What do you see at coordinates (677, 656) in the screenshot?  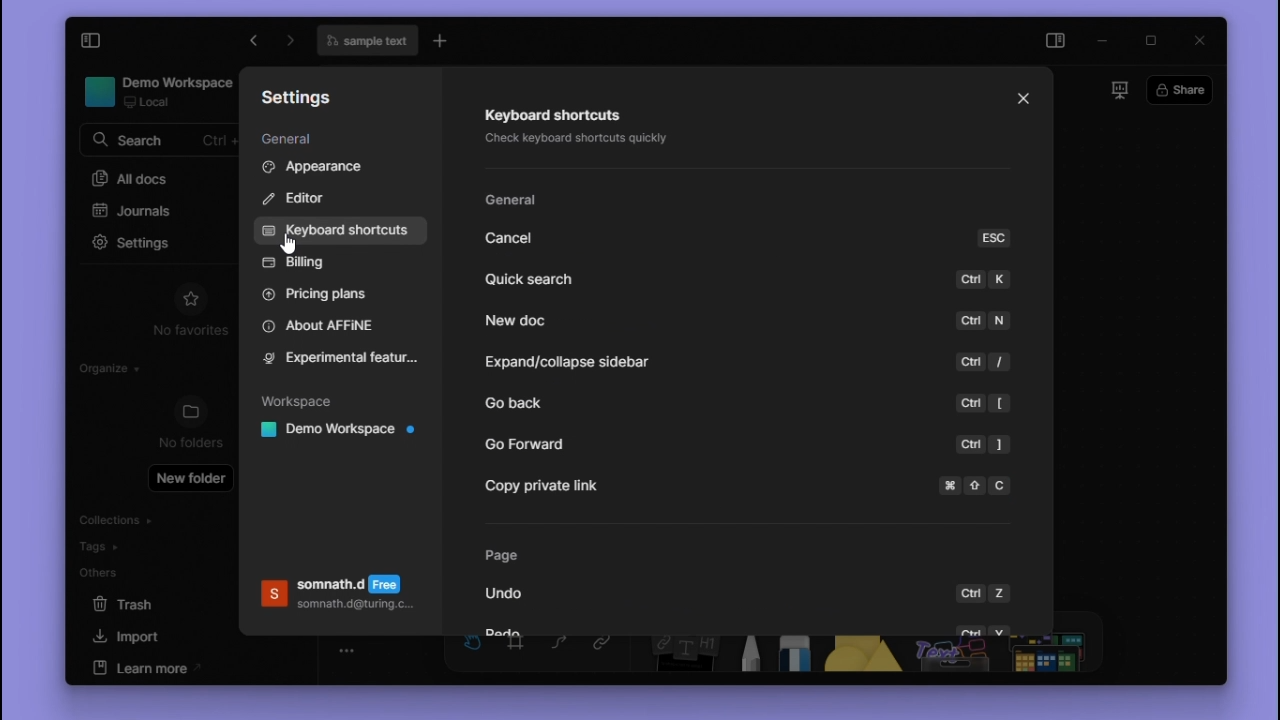 I see `Note` at bounding box center [677, 656].